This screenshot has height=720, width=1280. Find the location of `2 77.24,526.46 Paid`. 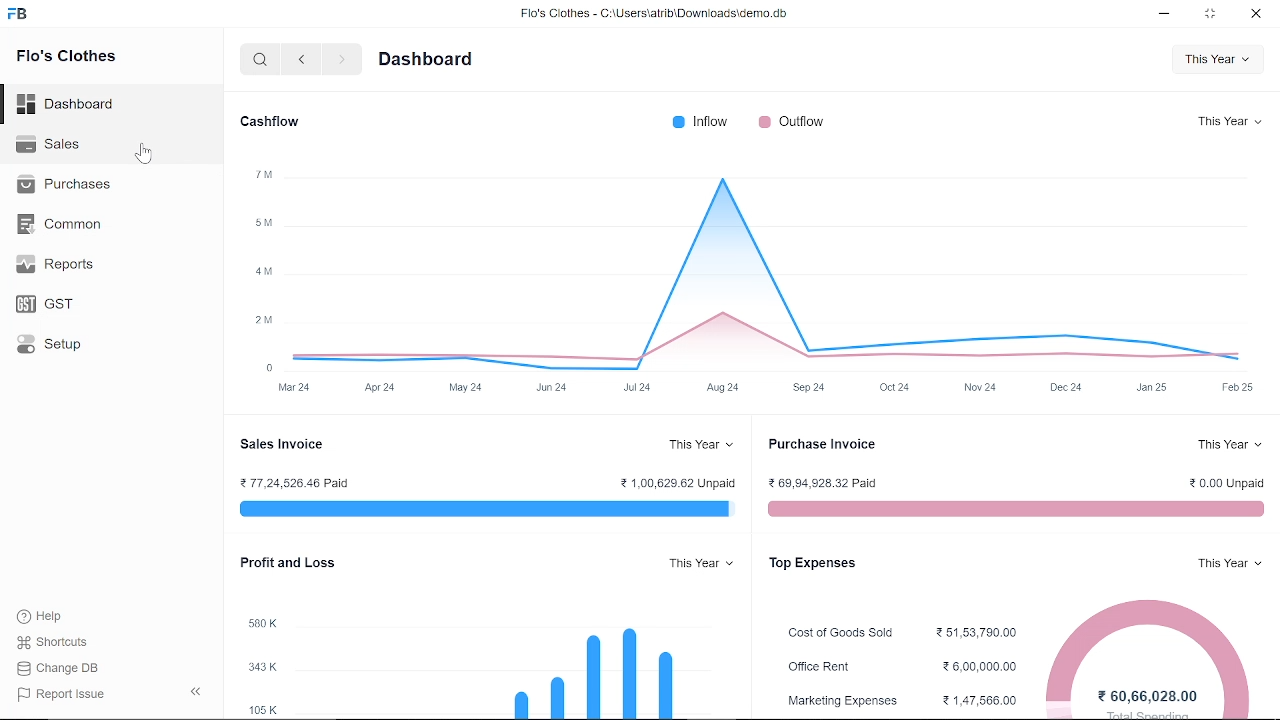

2 77.24,526.46 Paid is located at coordinates (294, 480).